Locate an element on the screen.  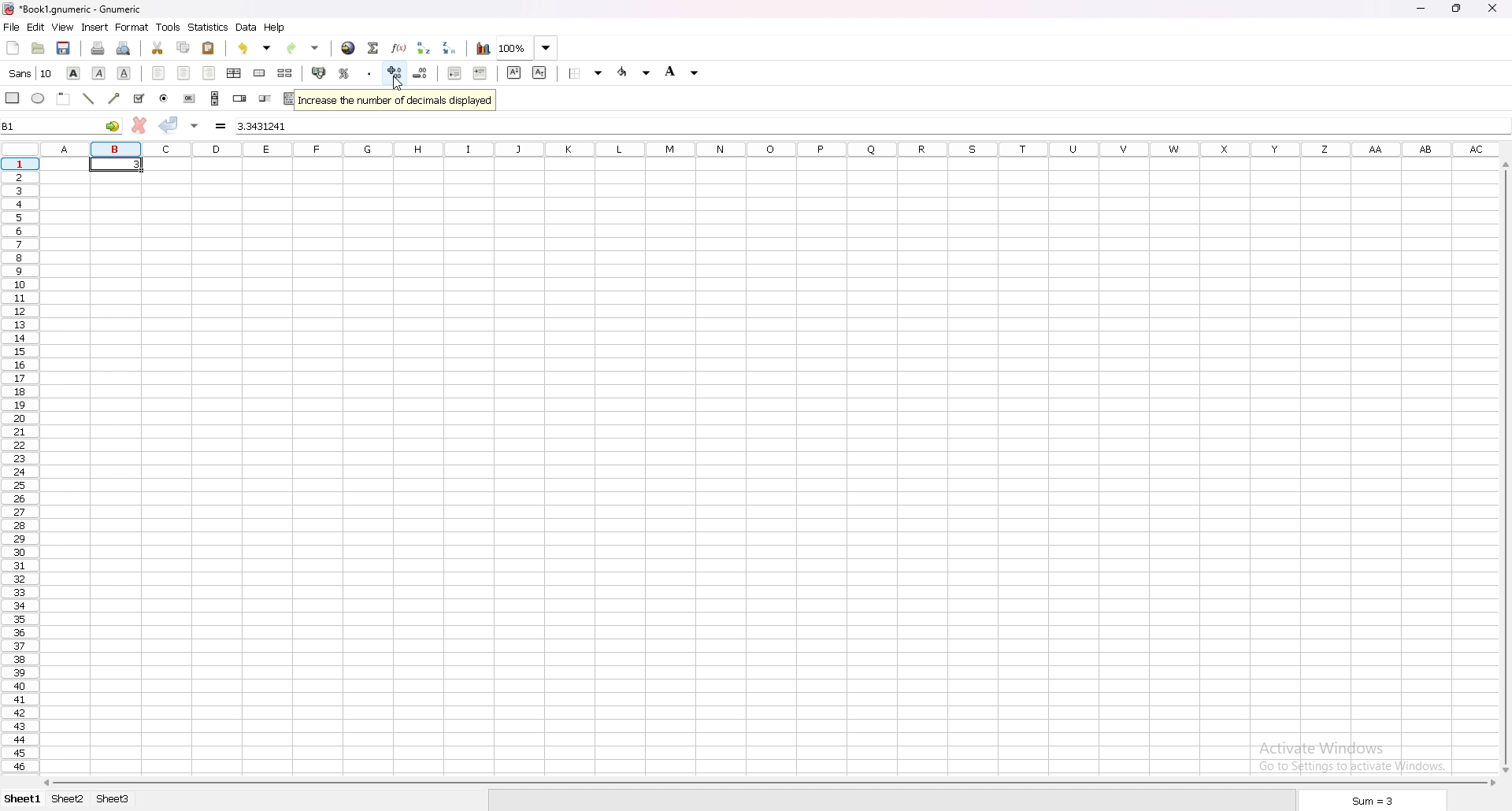
save is located at coordinates (64, 47).